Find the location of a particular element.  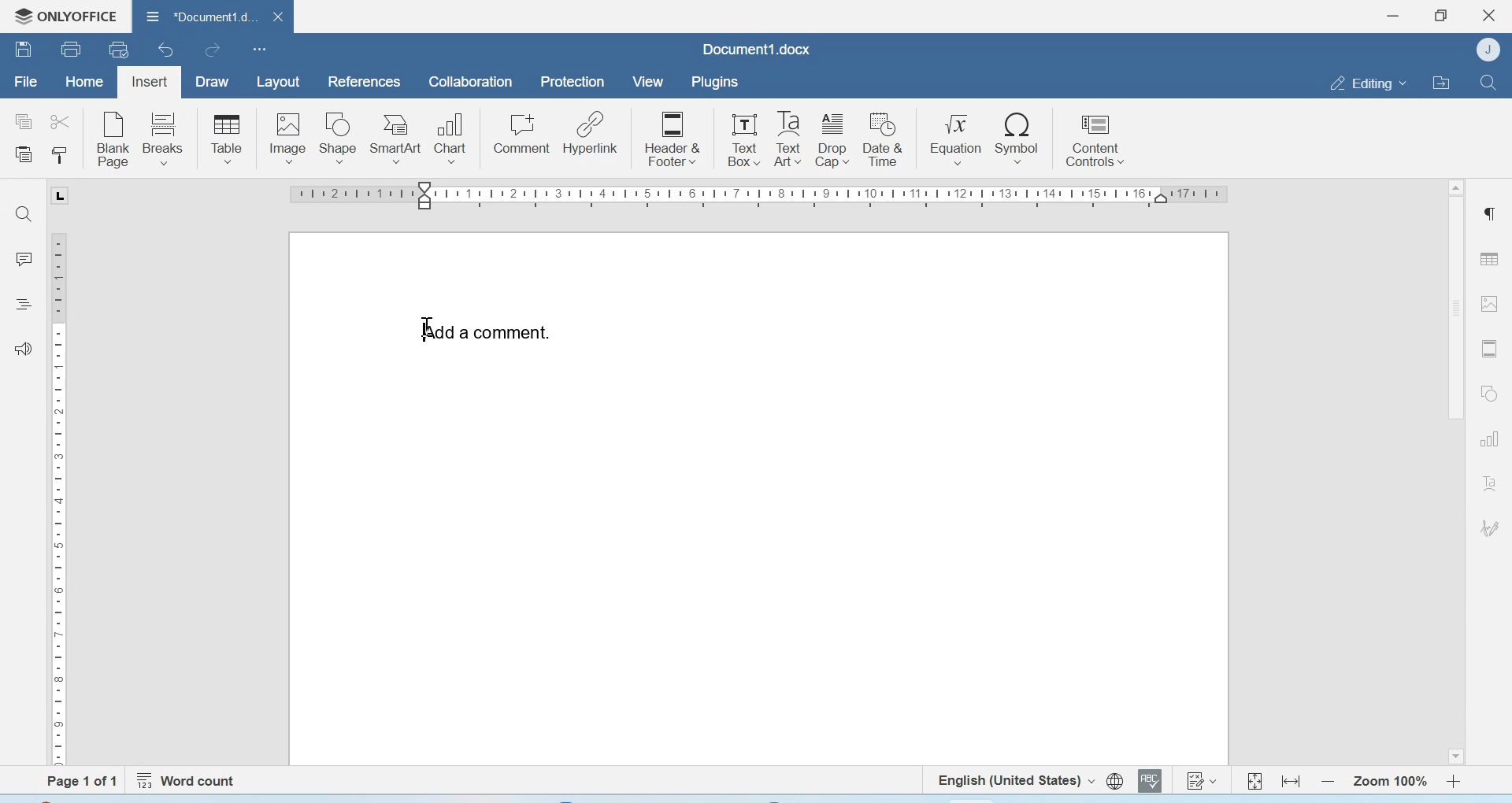

Zoom in is located at coordinates (1455, 781).